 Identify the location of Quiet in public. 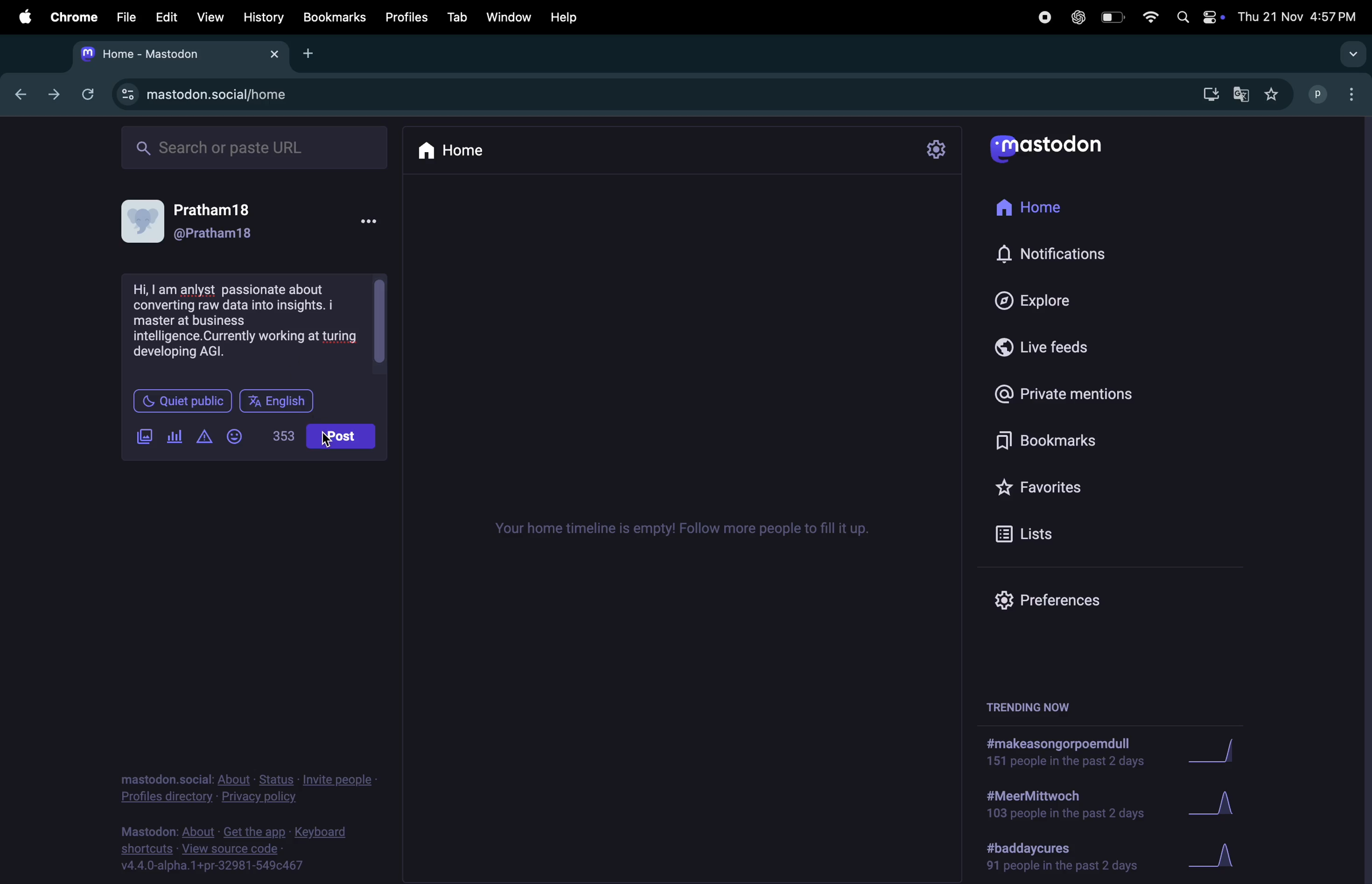
(181, 401).